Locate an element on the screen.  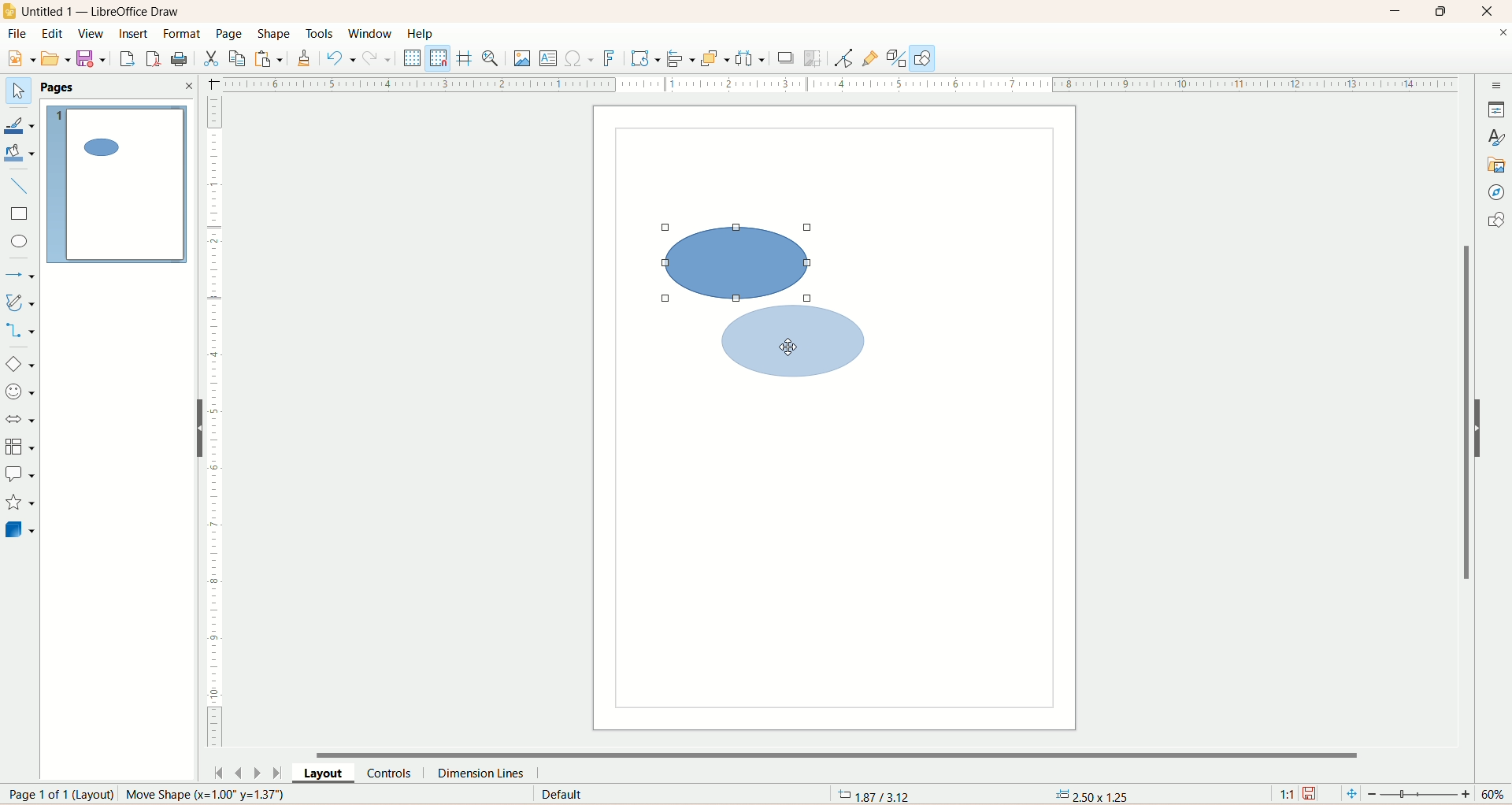
anchor point is located at coordinates (1089, 796).